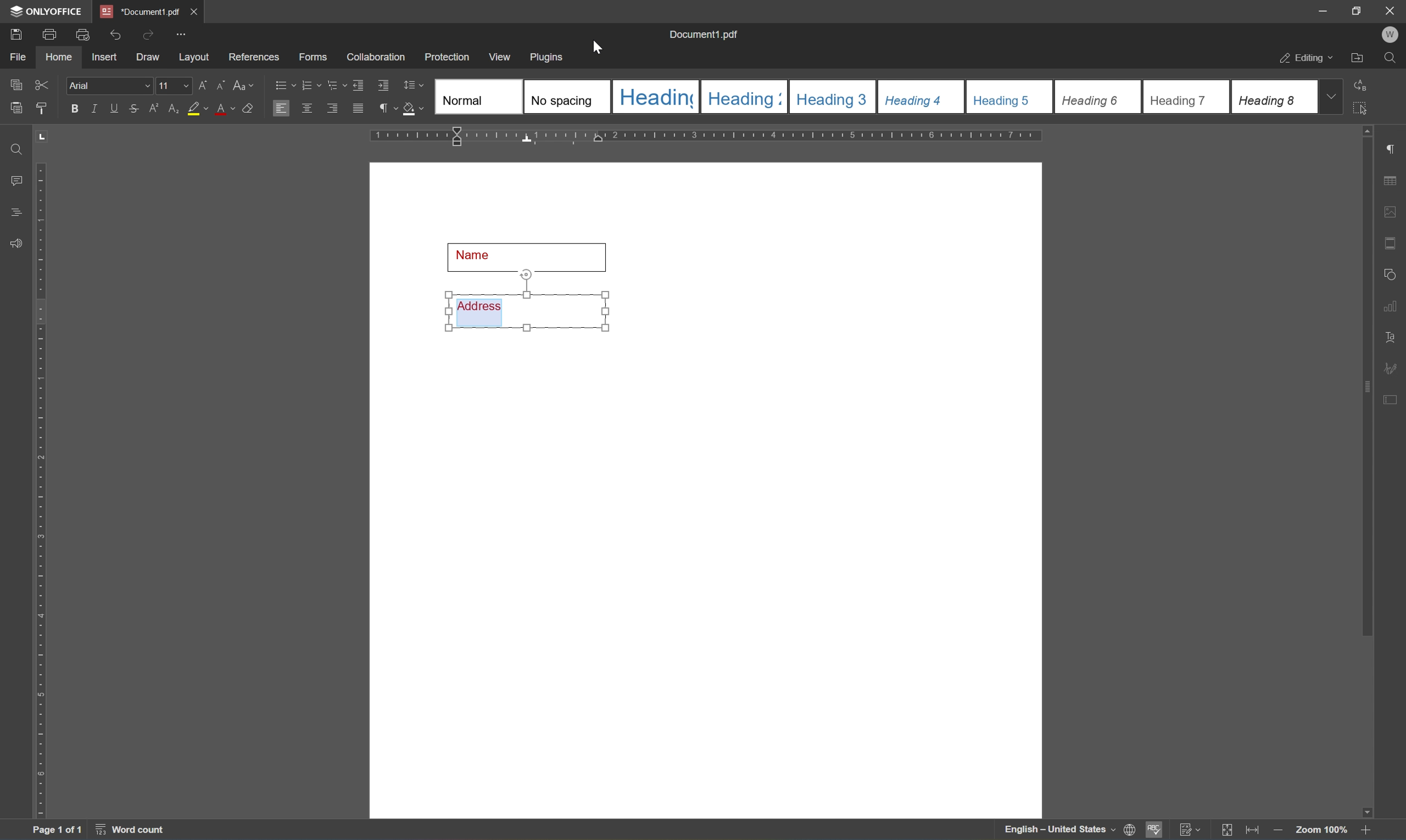 The height and width of the screenshot is (840, 1406). Describe the element at coordinates (388, 108) in the screenshot. I see `nonprinting characters` at that location.